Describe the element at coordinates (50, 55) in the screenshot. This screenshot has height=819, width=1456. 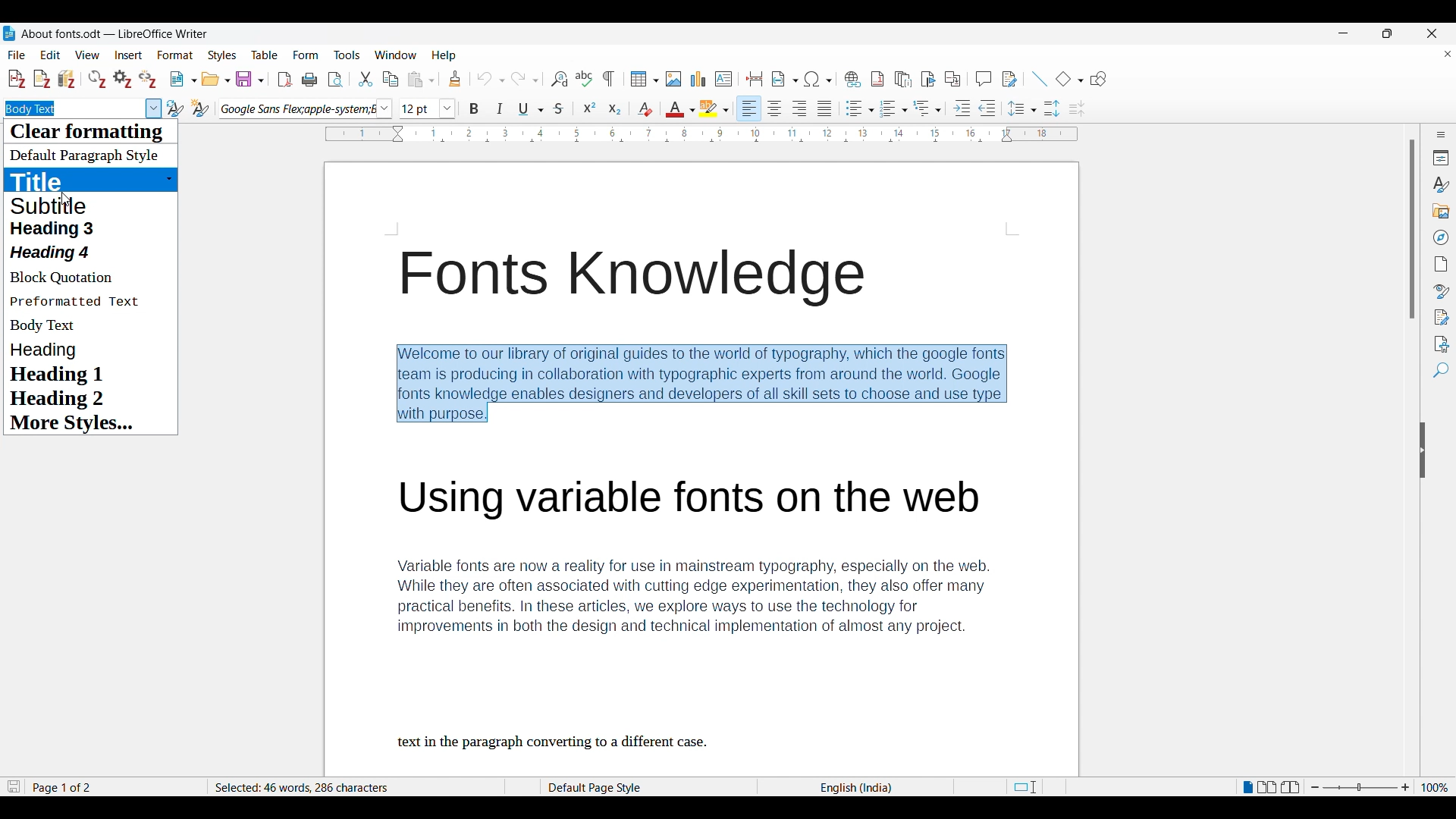
I see `Edit menu` at that location.